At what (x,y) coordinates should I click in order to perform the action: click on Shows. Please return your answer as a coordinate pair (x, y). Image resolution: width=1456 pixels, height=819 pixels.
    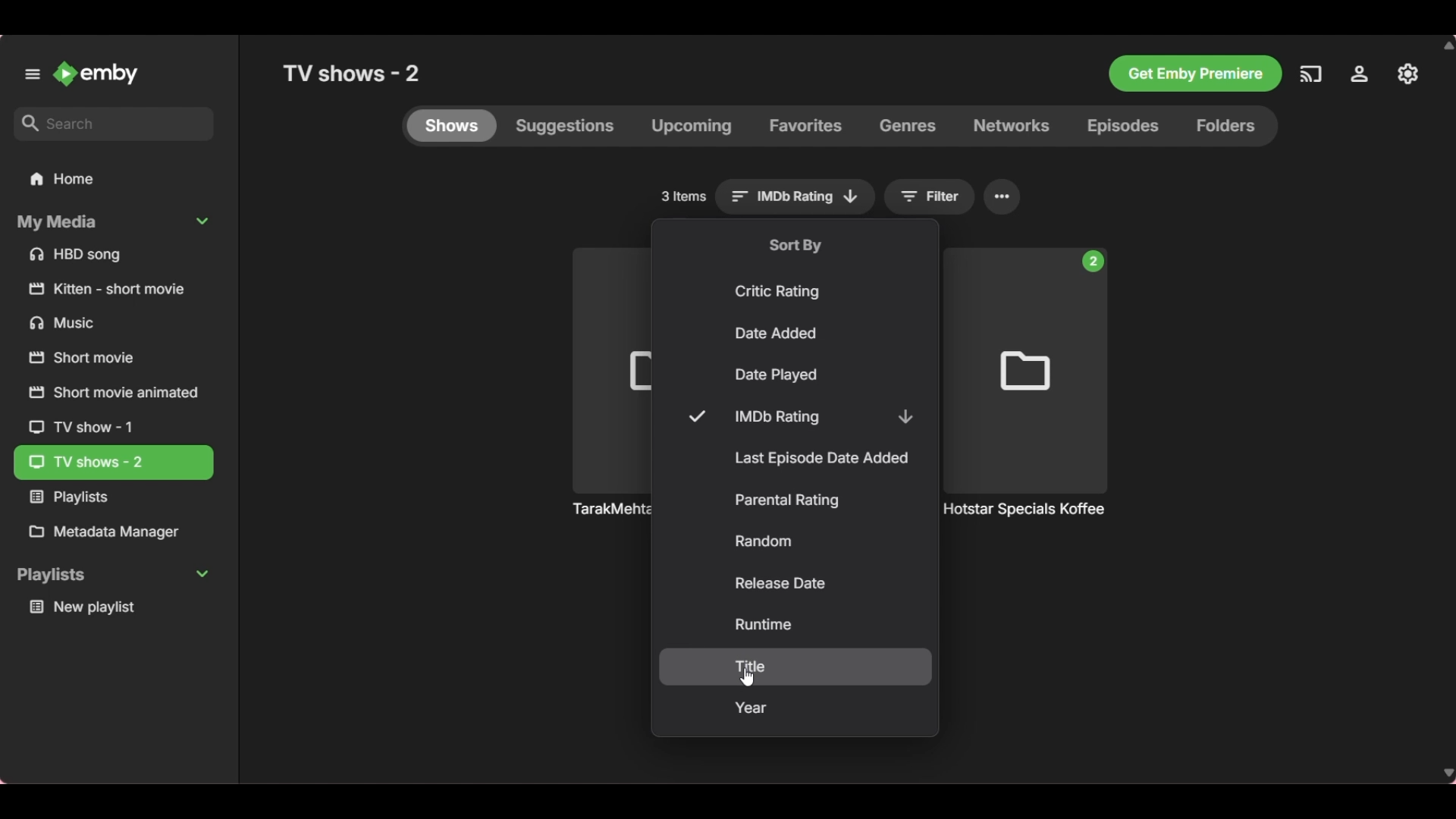
    Looking at the image, I should click on (451, 126).